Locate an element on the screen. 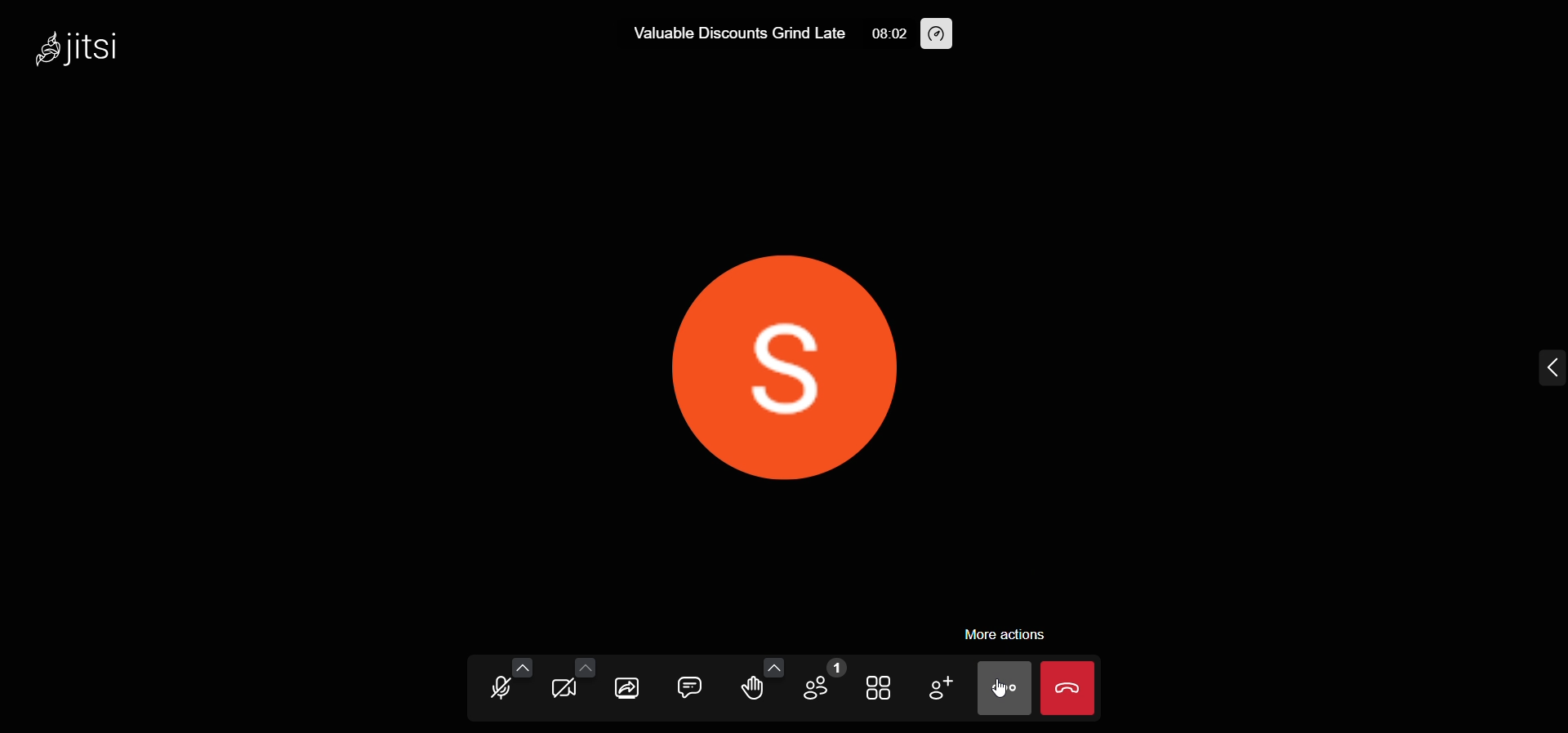 Image resolution: width=1568 pixels, height=733 pixels. participants is located at coordinates (822, 682).